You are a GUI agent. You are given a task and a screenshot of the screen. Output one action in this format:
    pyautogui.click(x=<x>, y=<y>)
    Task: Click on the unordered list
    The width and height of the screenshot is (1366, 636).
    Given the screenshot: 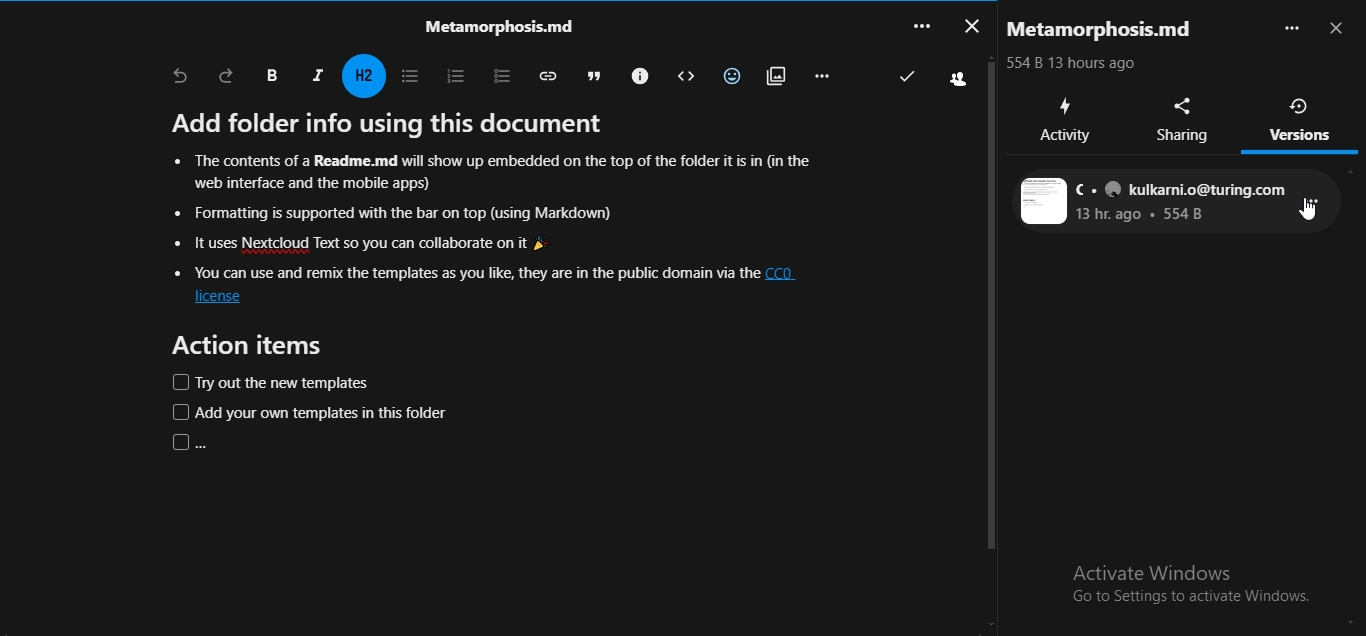 What is the action you would take?
    pyautogui.click(x=408, y=76)
    